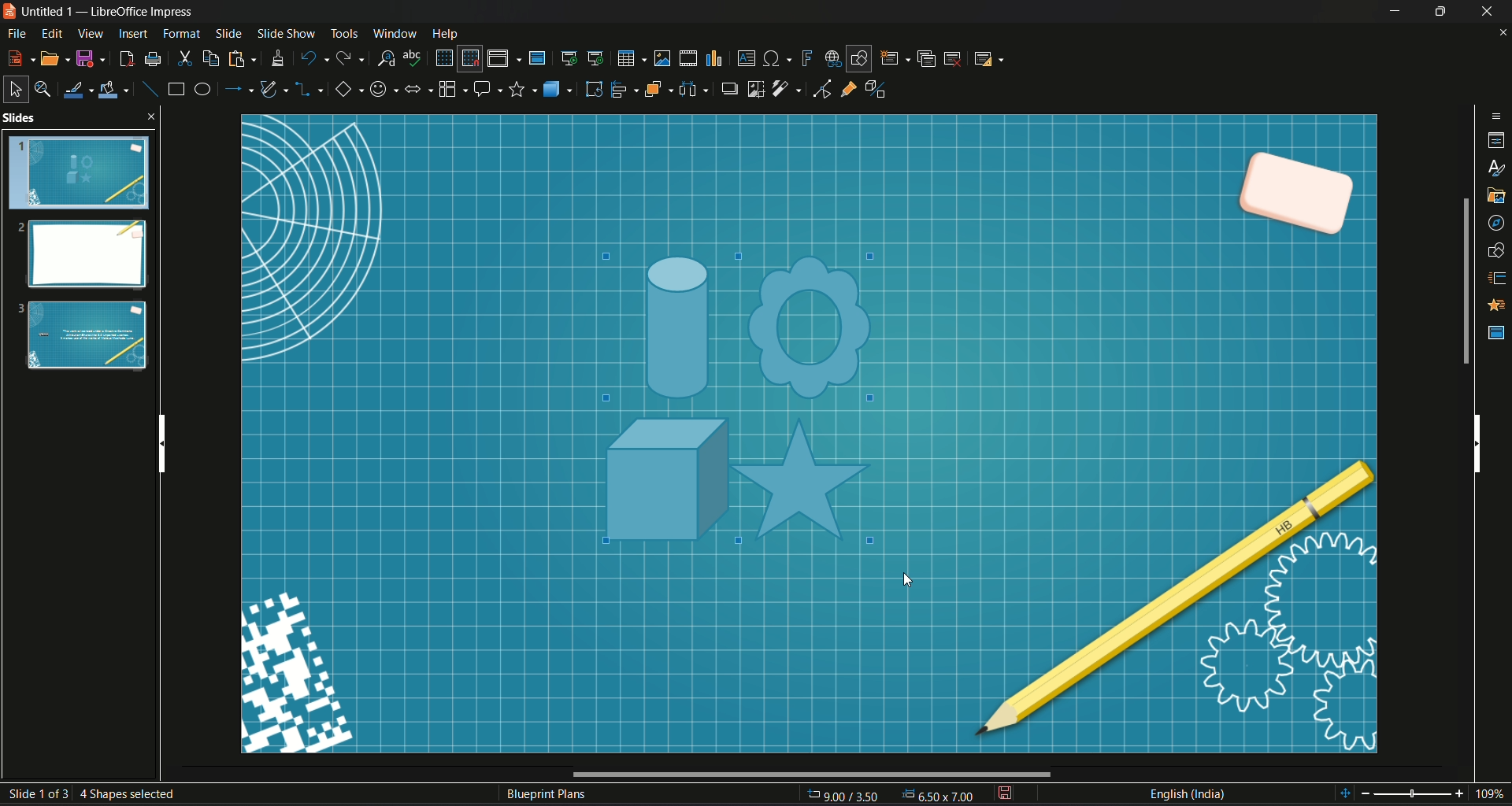  What do you see at coordinates (237, 89) in the screenshot?
I see `lines and arrow` at bounding box center [237, 89].